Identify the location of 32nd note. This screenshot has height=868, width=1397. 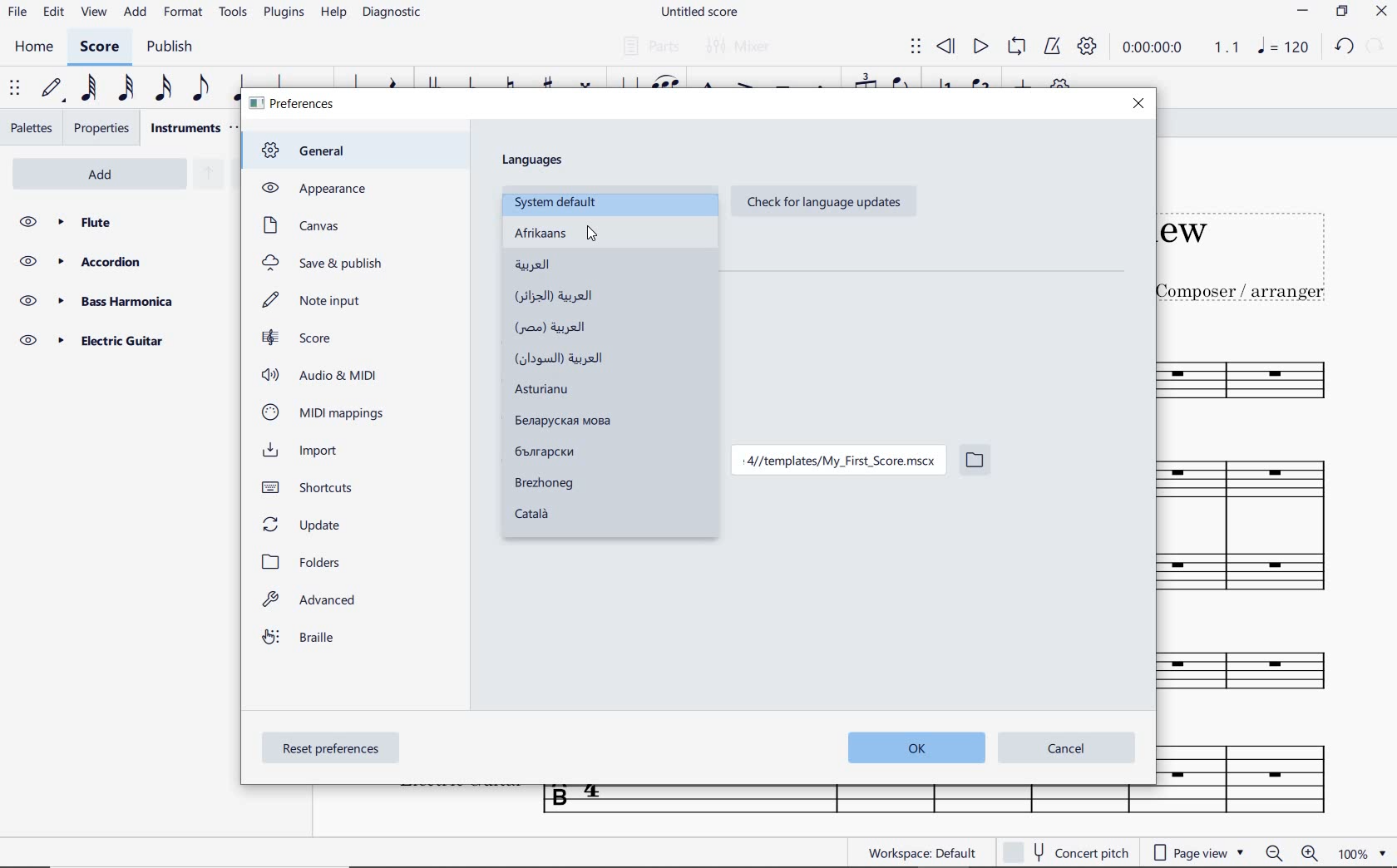
(123, 89).